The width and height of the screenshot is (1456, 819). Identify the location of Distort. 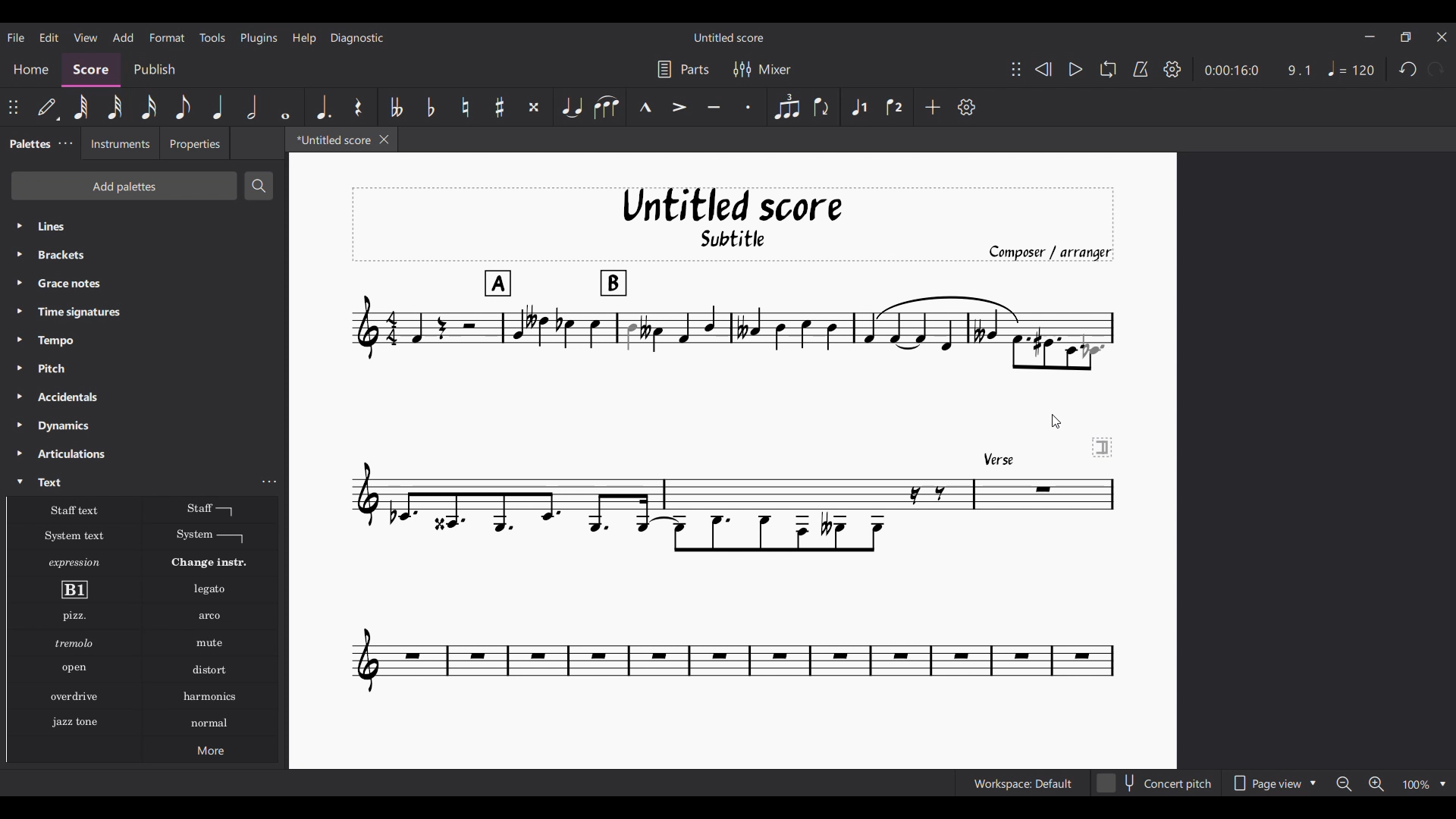
(210, 670).